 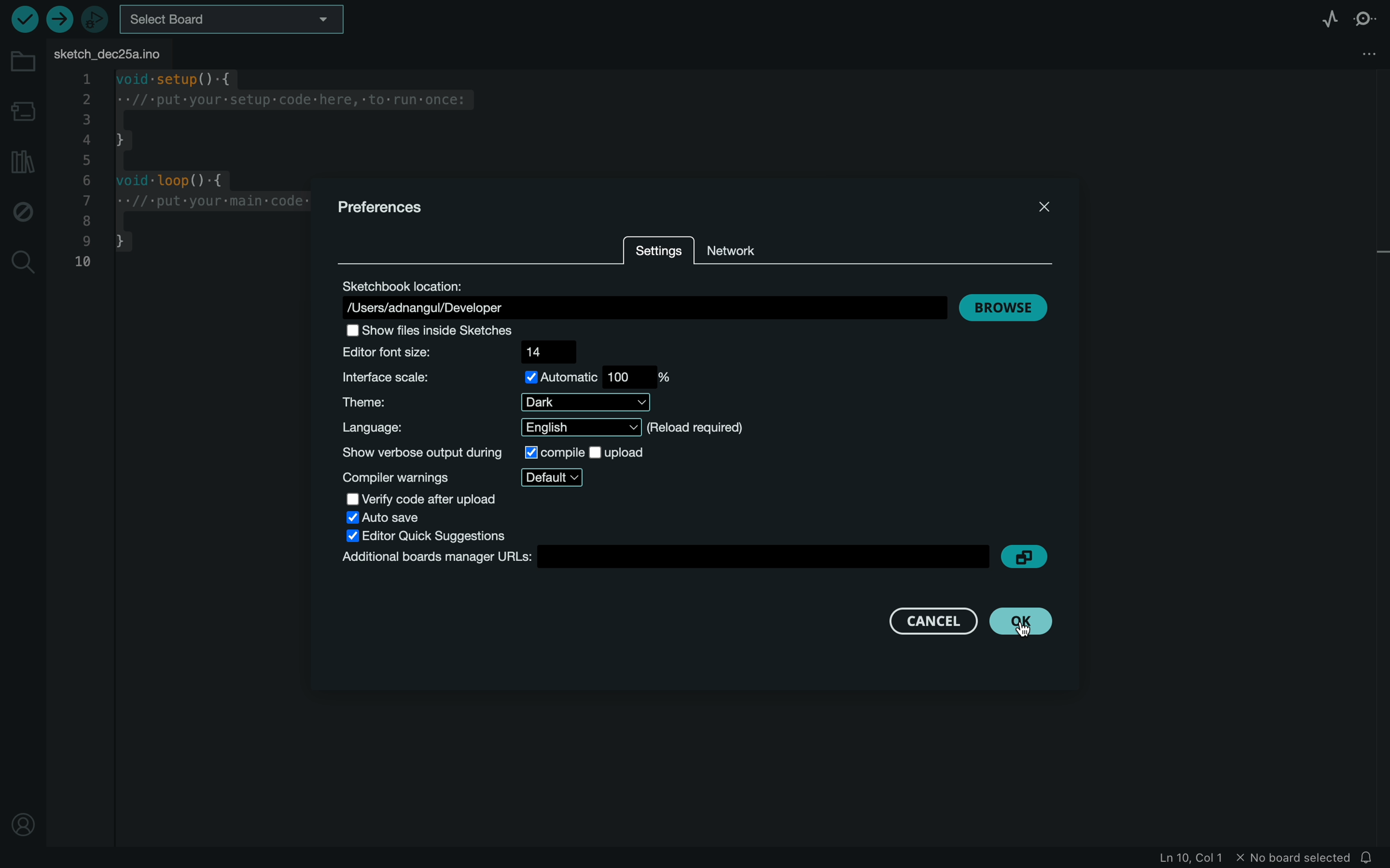 I want to click on close, so click(x=1048, y=203).